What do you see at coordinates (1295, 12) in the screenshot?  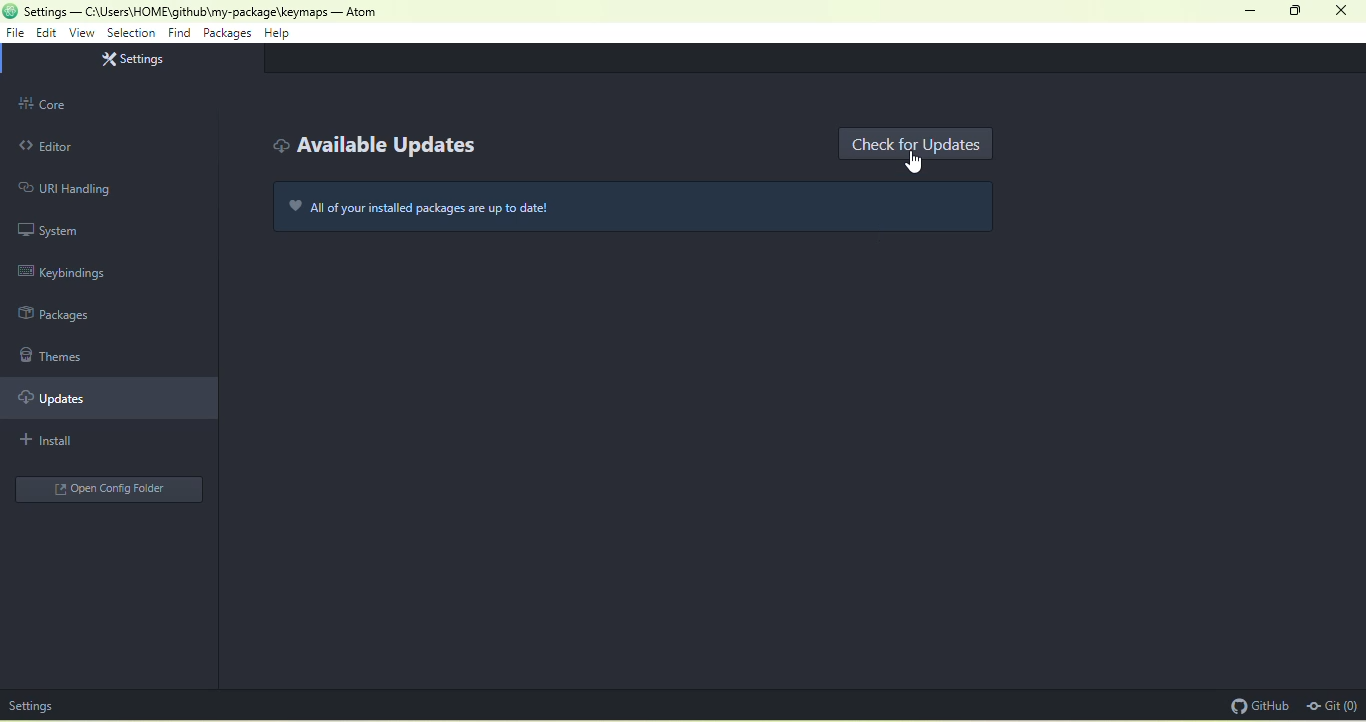 I see `maximize` at bounding box center [1295, 12].